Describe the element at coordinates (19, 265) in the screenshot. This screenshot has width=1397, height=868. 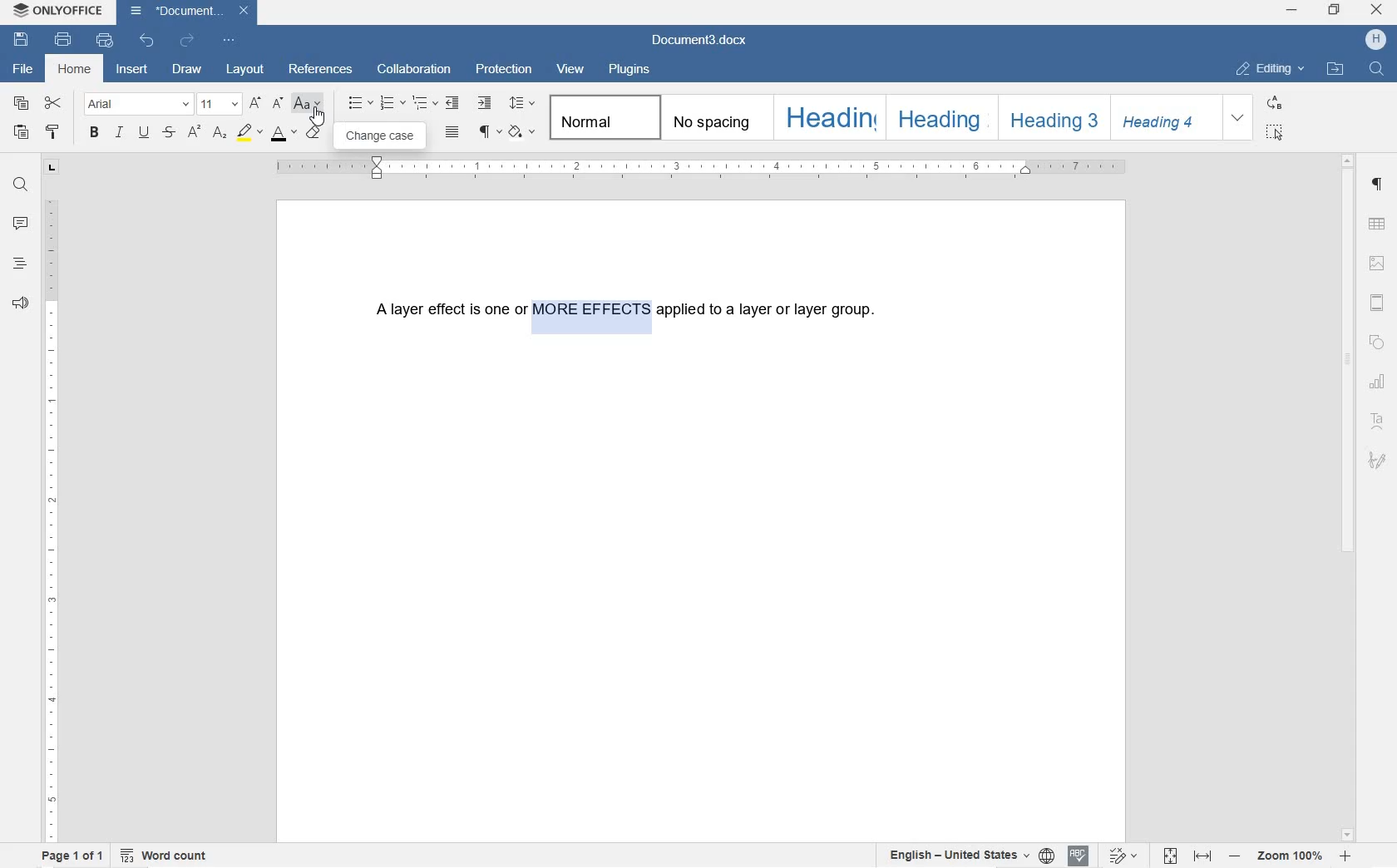
I see `HEADINGS` at that location.